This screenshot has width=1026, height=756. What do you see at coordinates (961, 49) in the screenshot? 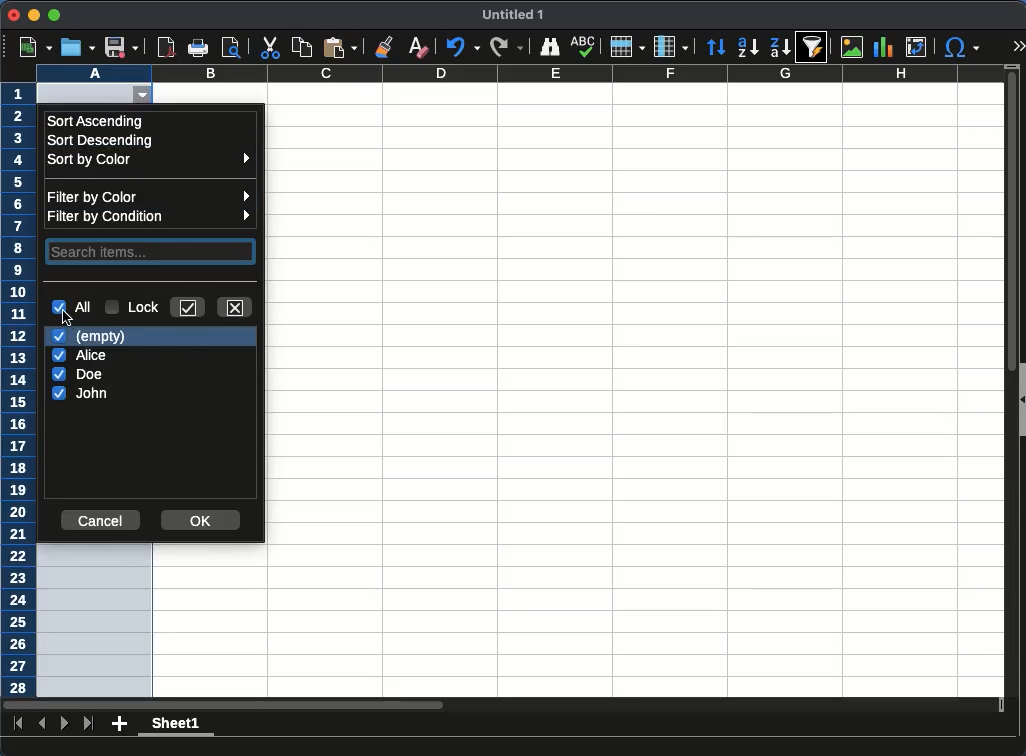
I see `special character` at bounding box center [961, 49].